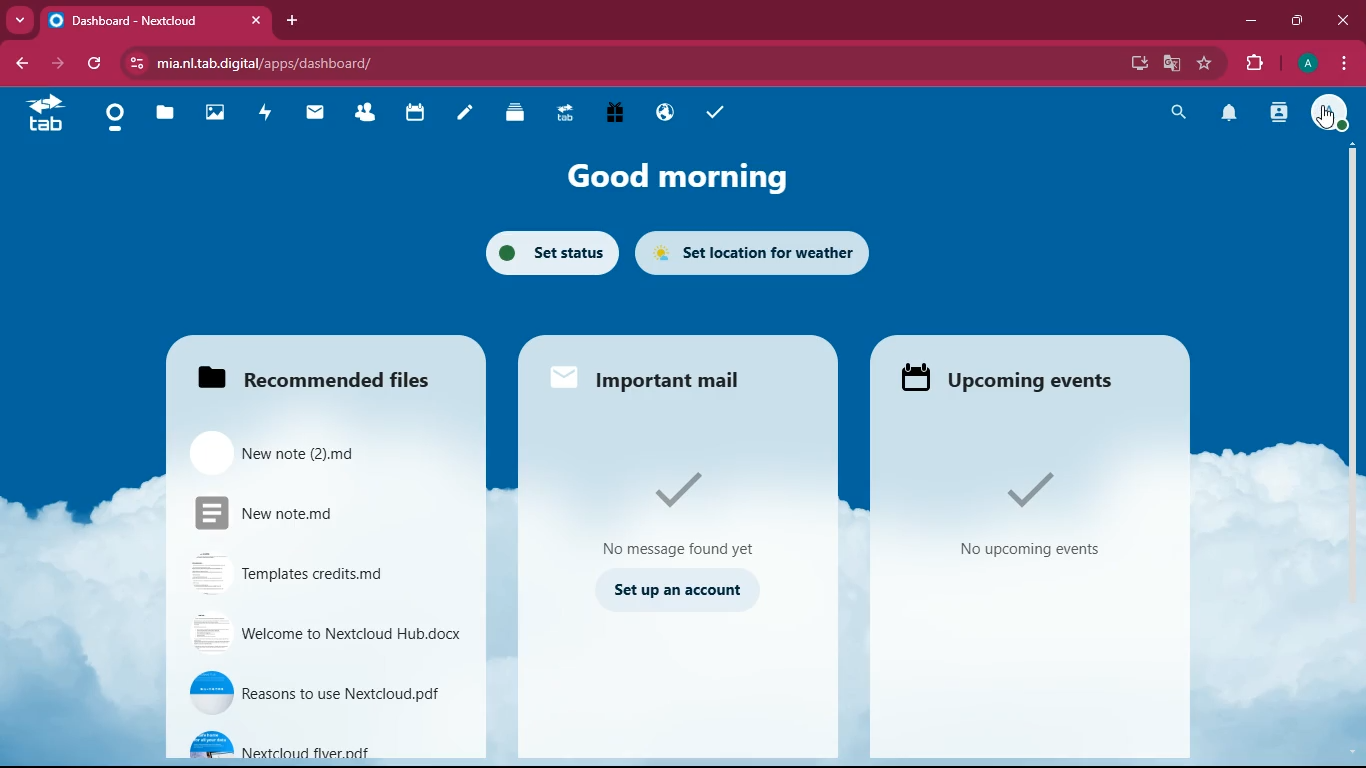  I want to click on Tick, so click(686, 488).